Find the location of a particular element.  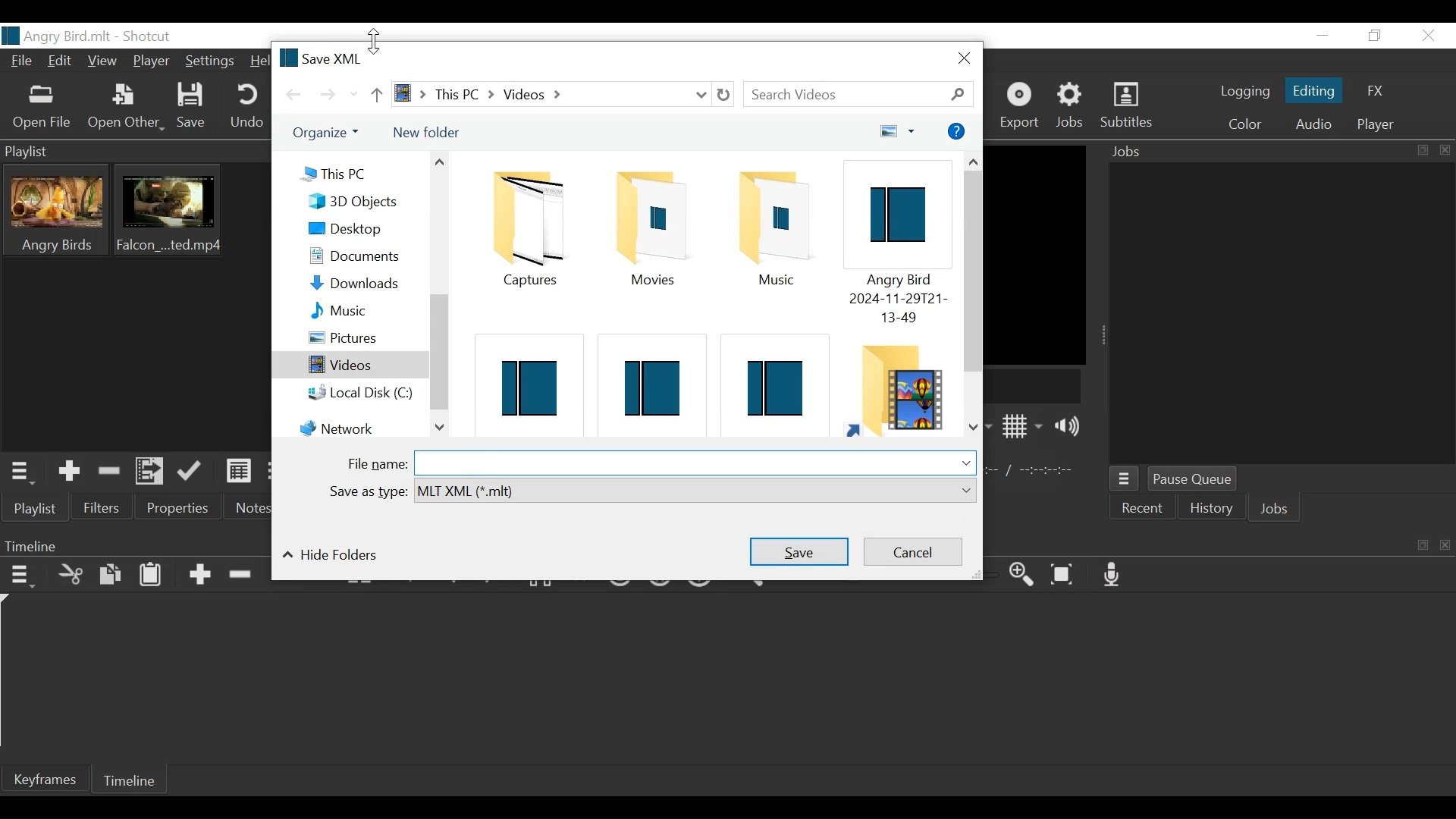

Pictures is located at coordinates (363, 337).